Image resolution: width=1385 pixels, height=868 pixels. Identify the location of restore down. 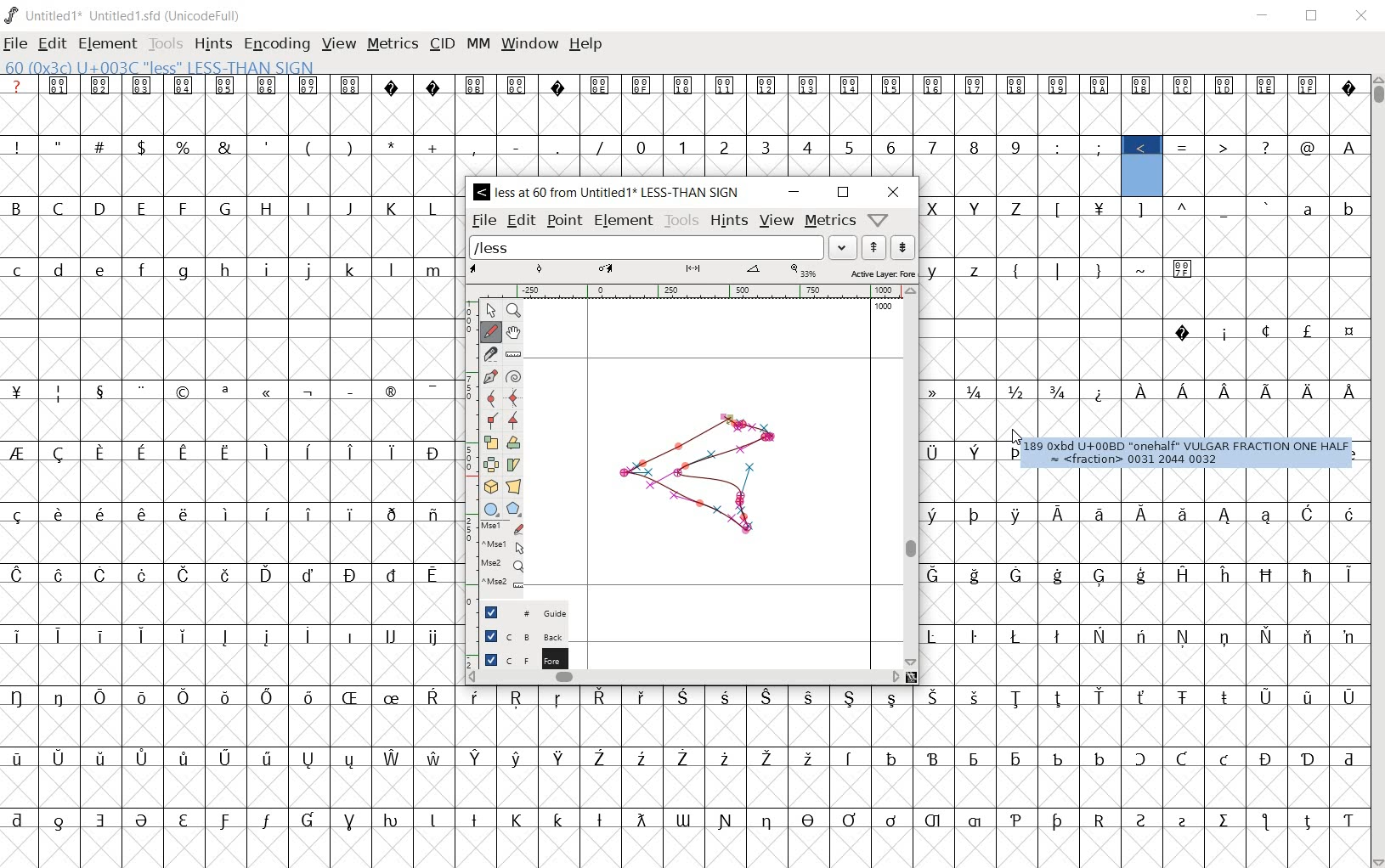
(1313, 15).